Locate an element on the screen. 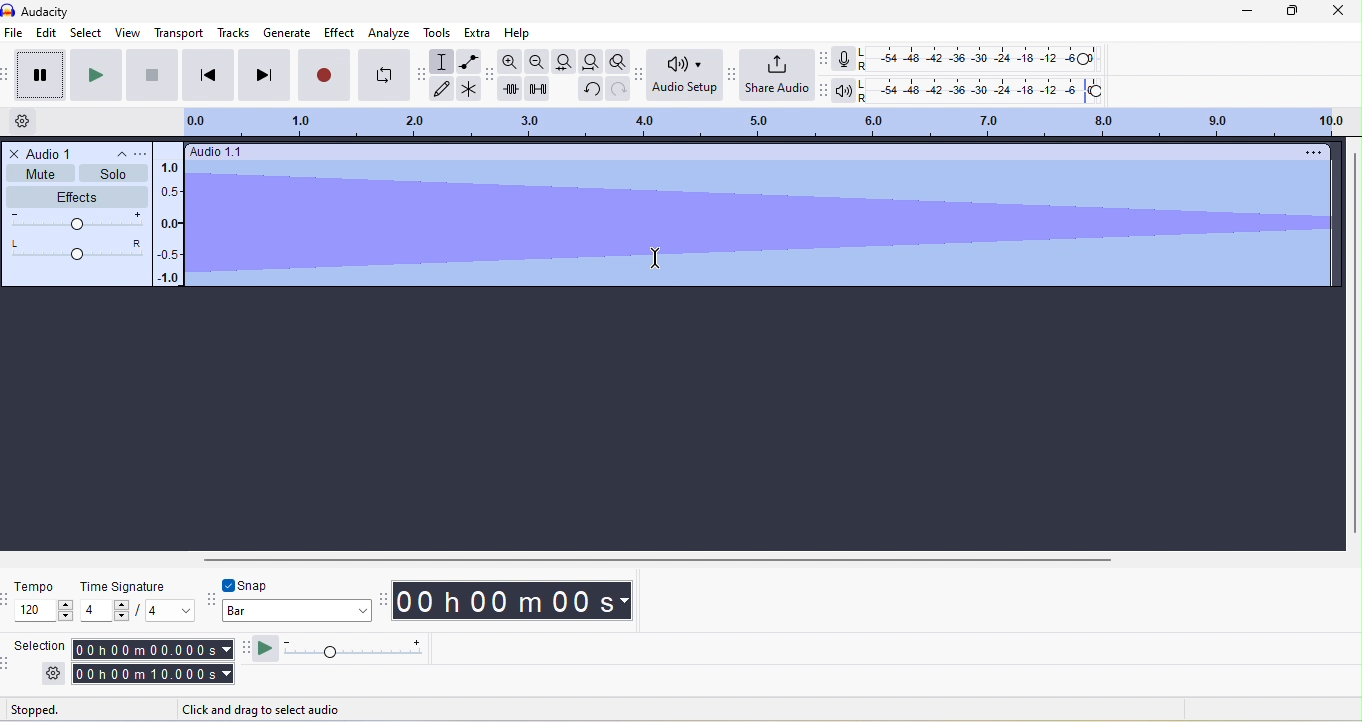 This screenshot has width=1362, height=722. 00 h 00 m 00 s is located at coordinates (517, 602).